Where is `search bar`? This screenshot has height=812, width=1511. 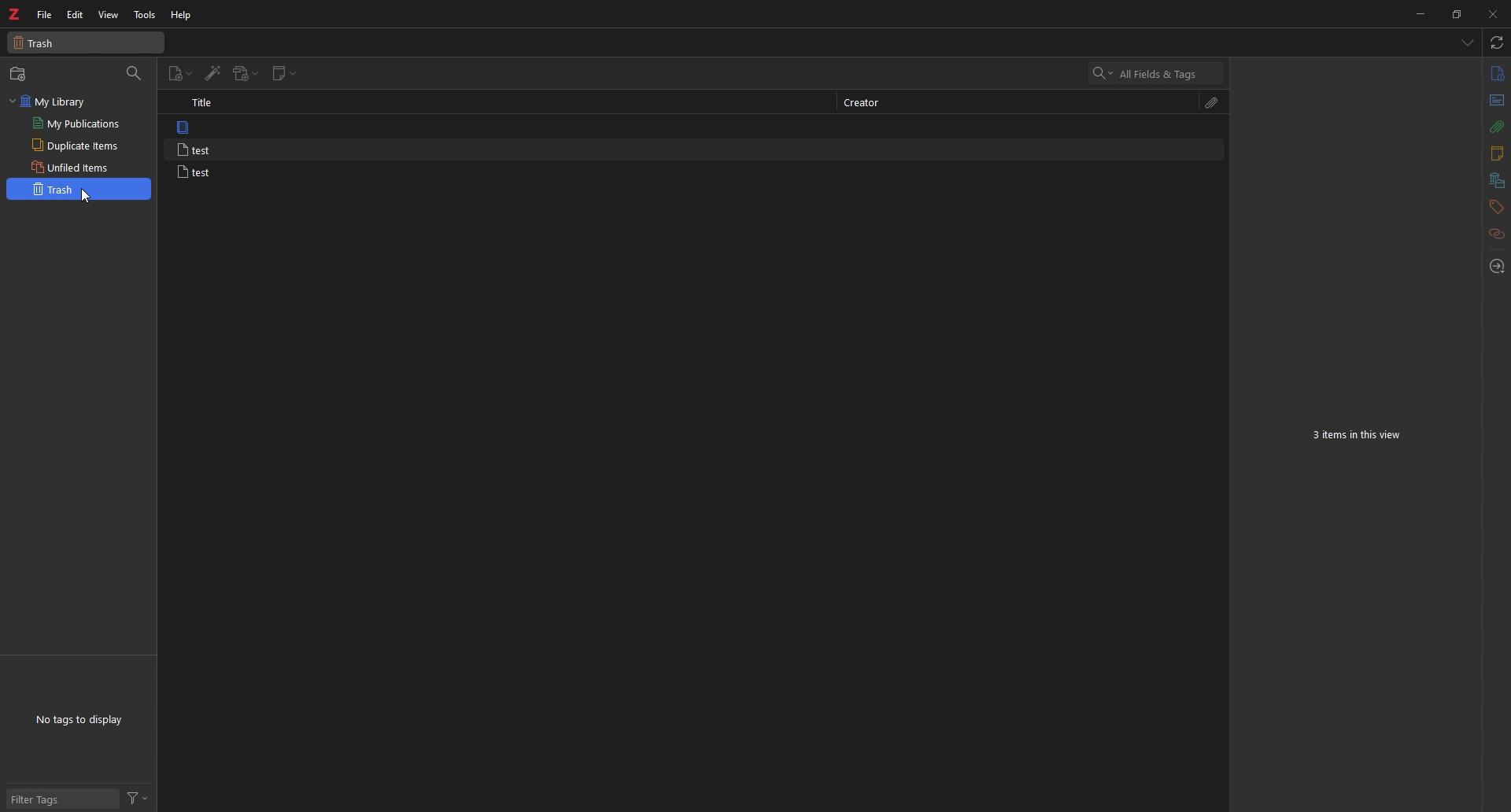 search bar is located at coordinates (1158, 74).